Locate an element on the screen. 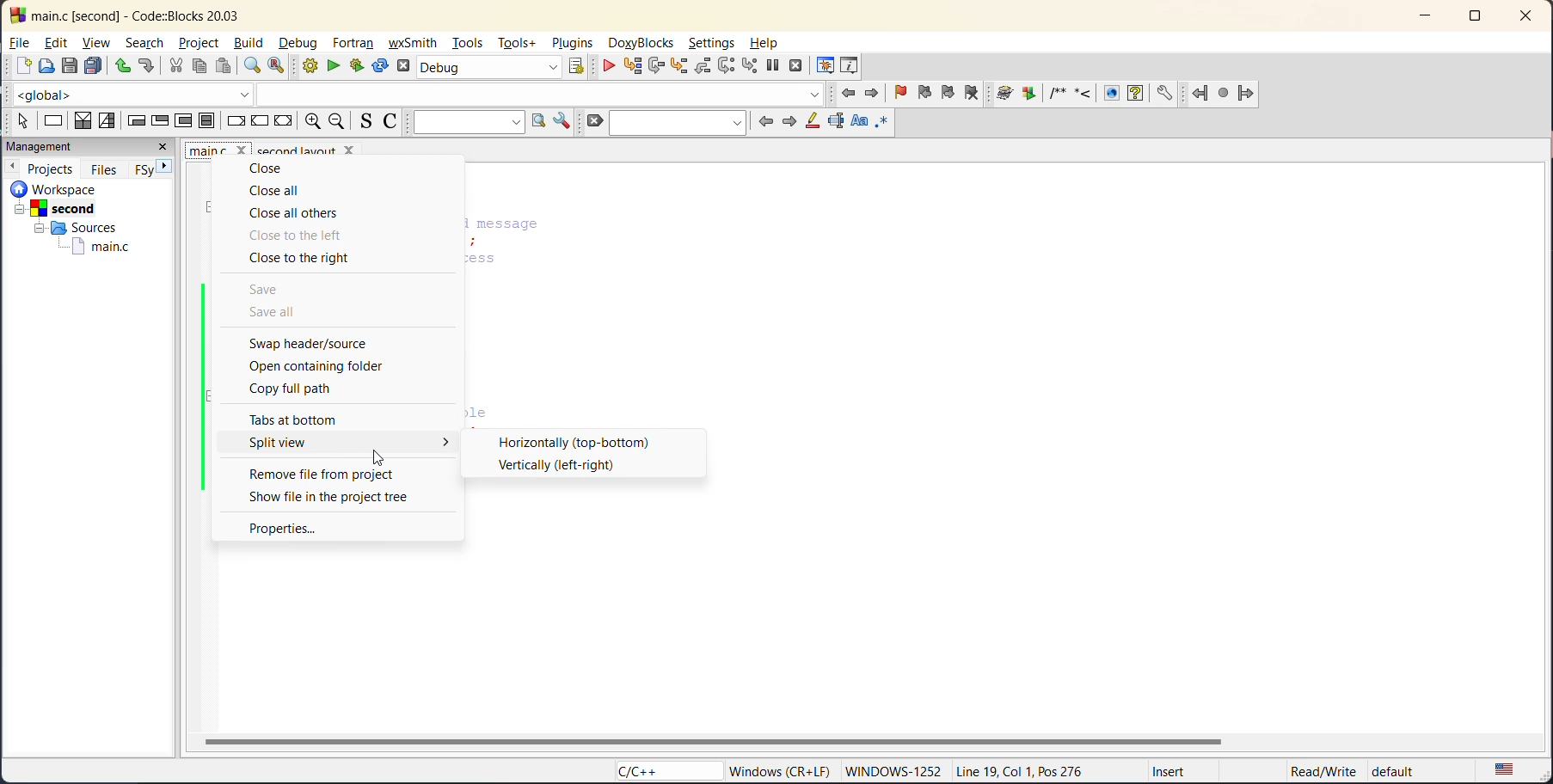 This screenshot has width=1553, height=784. message is located at coordinates (555, 224).